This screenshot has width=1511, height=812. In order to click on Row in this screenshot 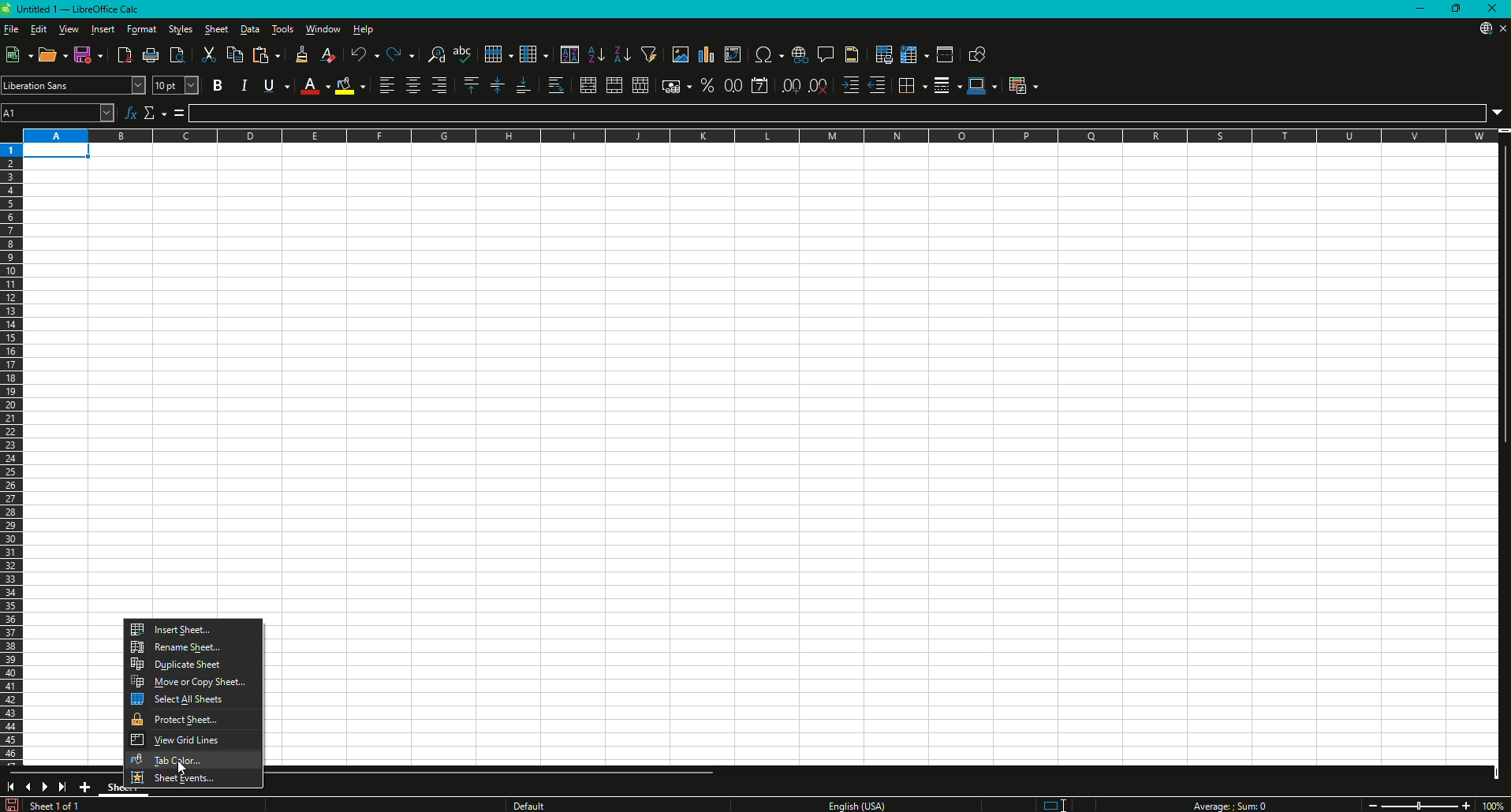, I will do `click(498, 54)`.